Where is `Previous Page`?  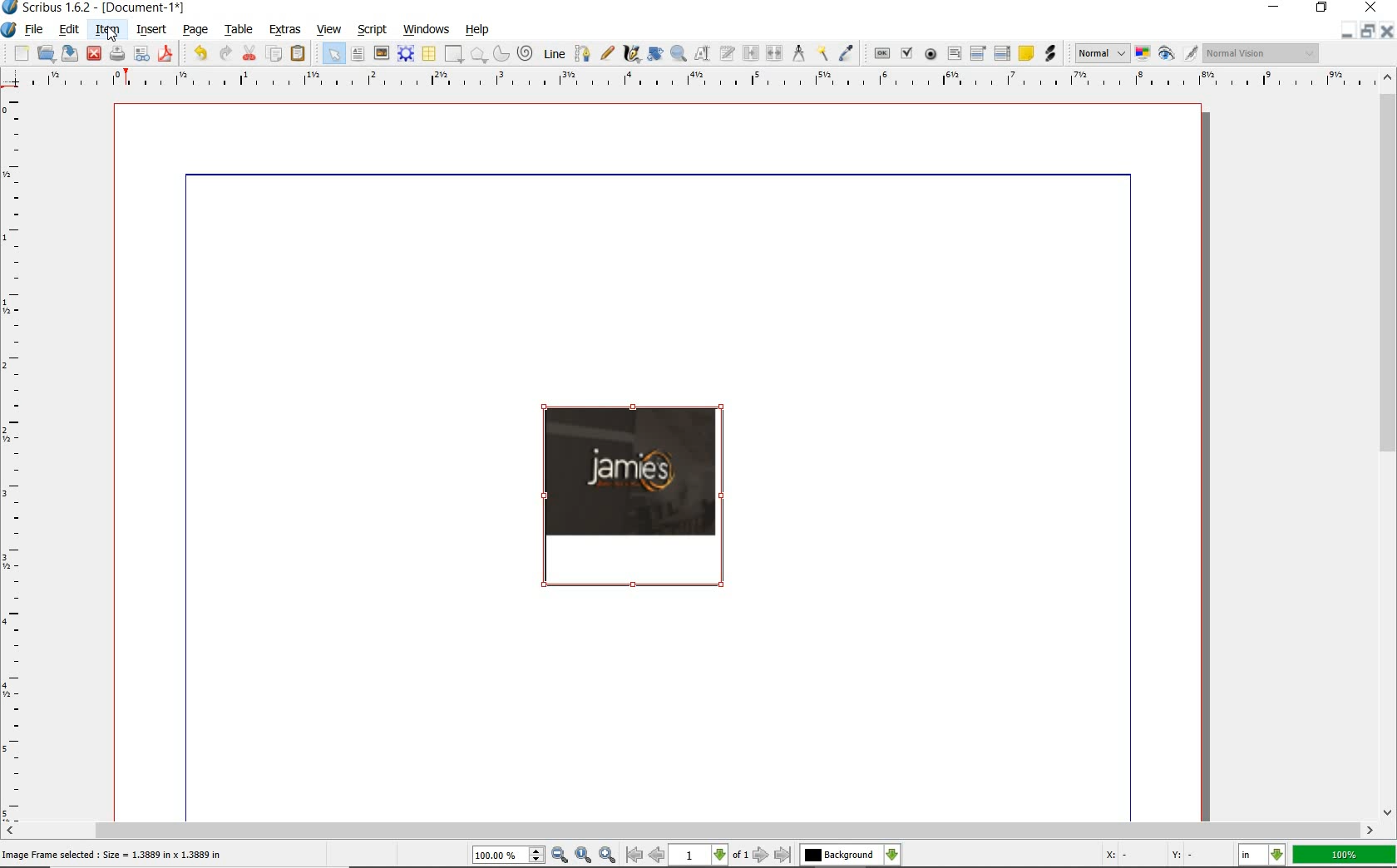 Previous Page is located at coordinates (658, 857).